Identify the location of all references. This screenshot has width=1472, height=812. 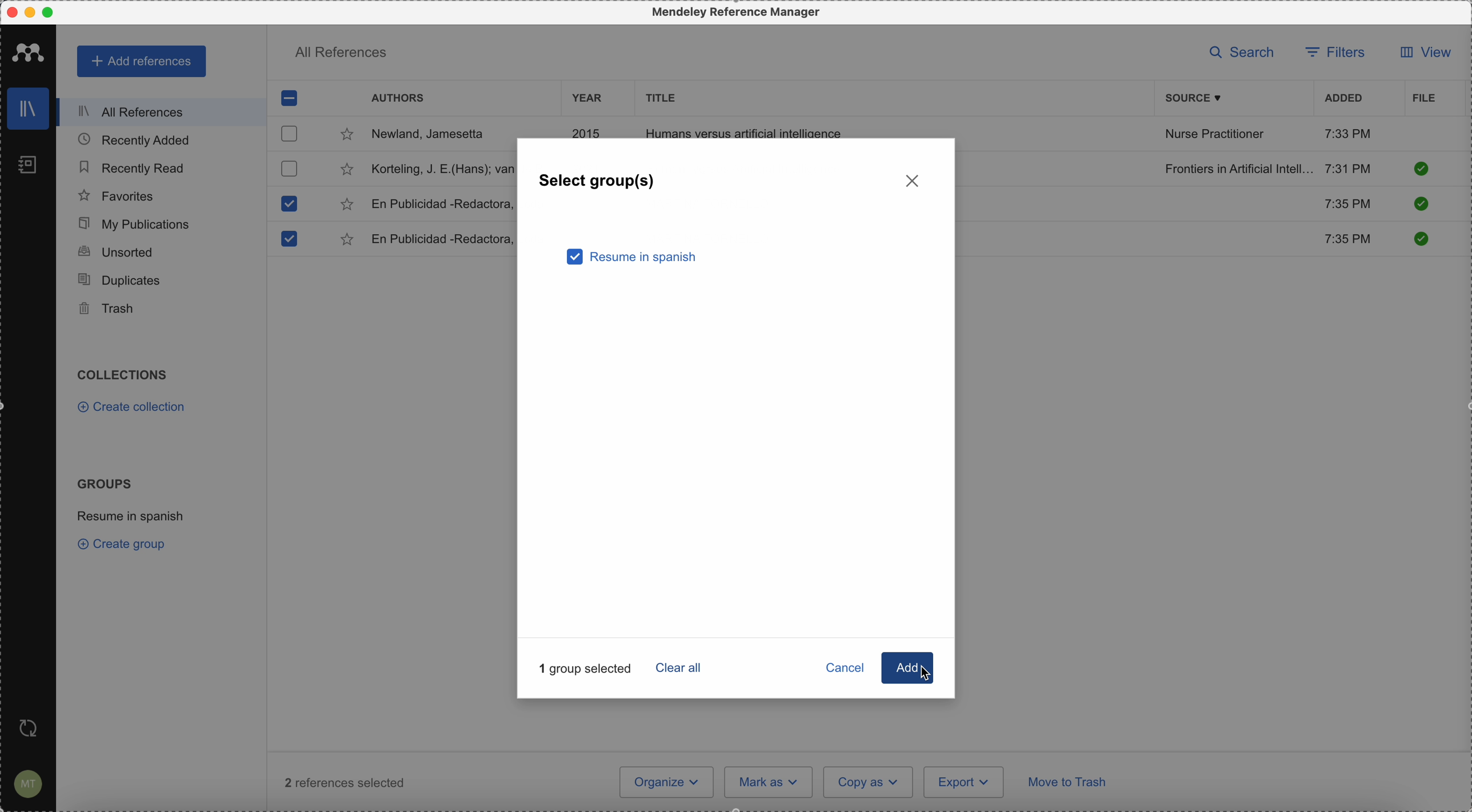
(158, 112).